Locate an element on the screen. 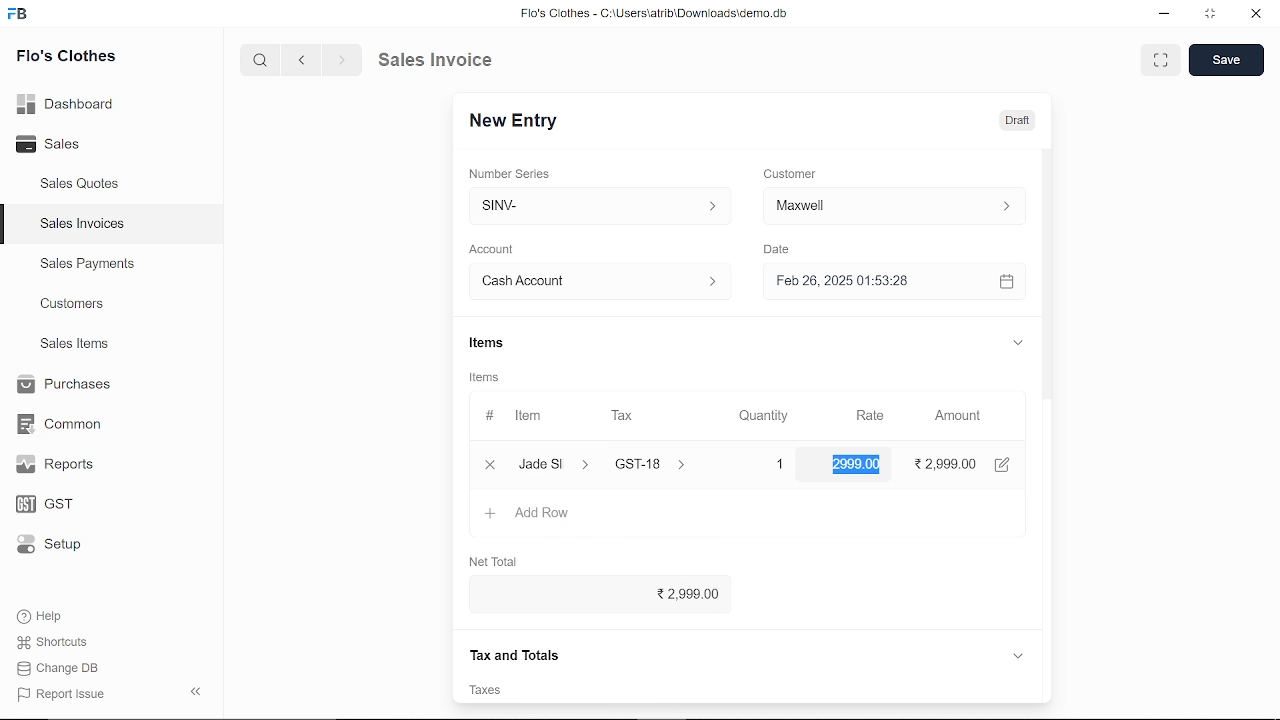 The image size is (1280, 720). New Entry is located at coordinates (521, 121).